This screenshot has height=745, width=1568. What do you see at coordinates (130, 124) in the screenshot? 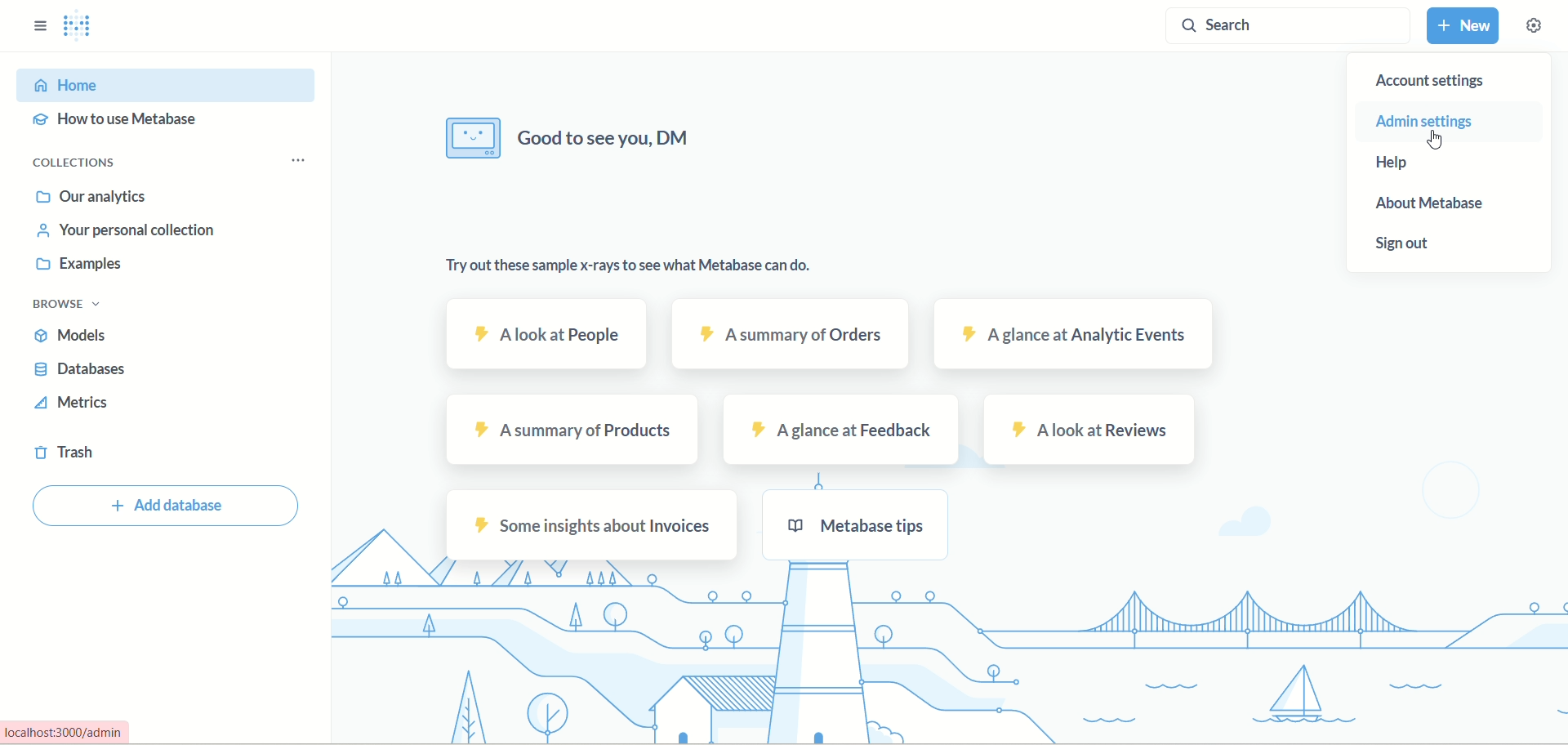
I see `how to use metabase` at bounding box center [130, 124].